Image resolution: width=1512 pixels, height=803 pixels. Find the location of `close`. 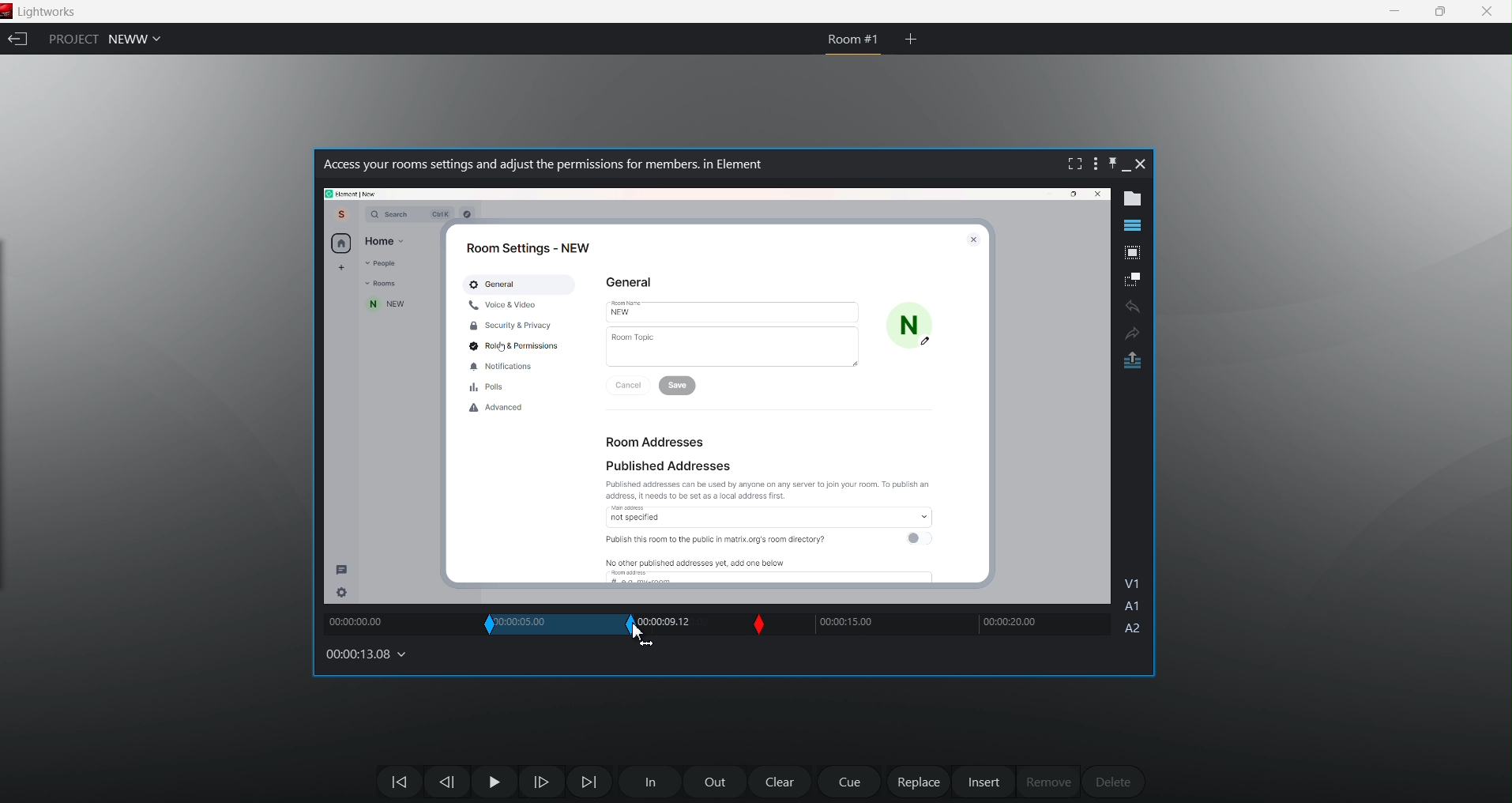

close is located at coordinates (1145, 168).